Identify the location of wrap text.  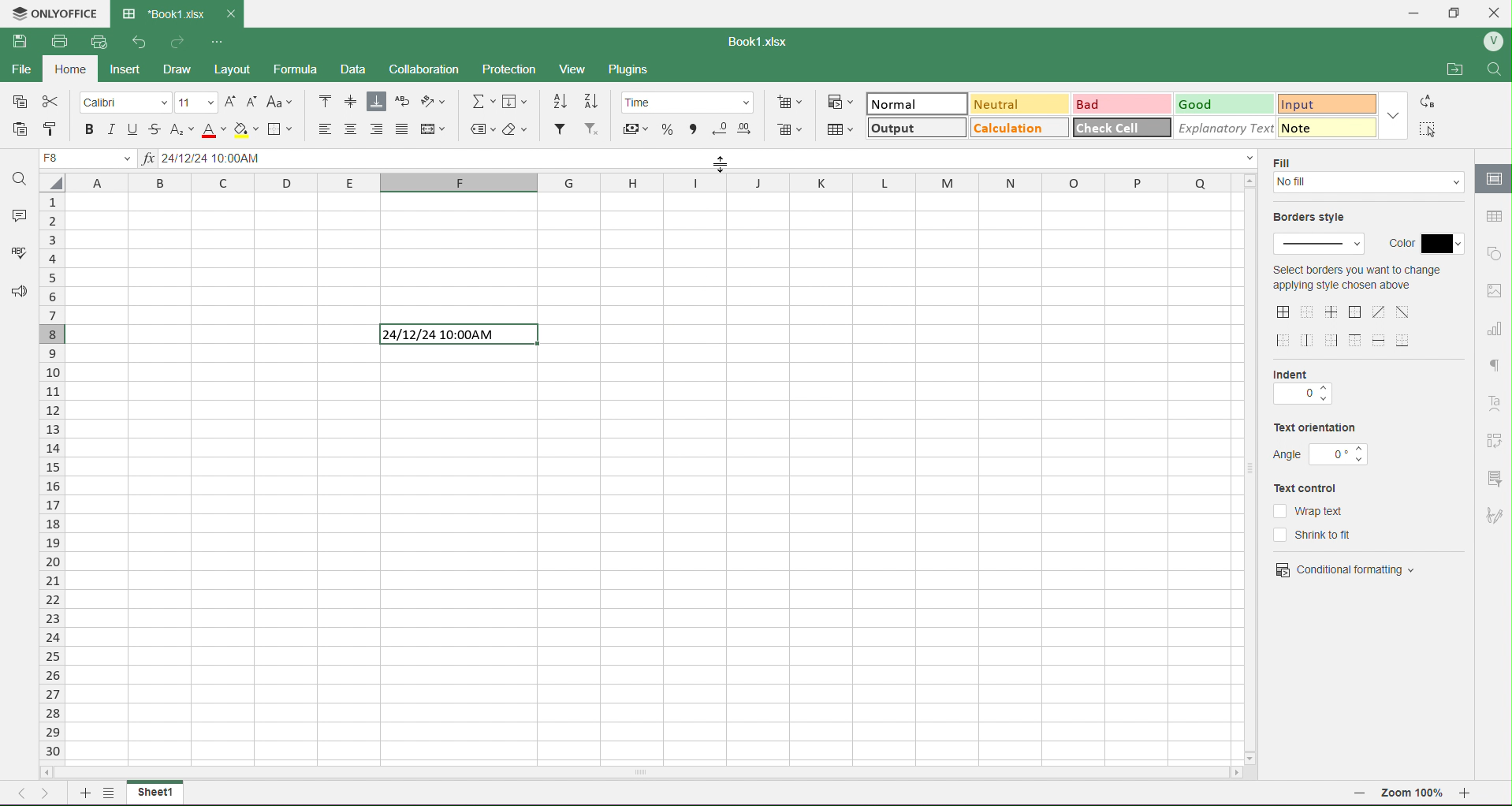
(1309, 510).